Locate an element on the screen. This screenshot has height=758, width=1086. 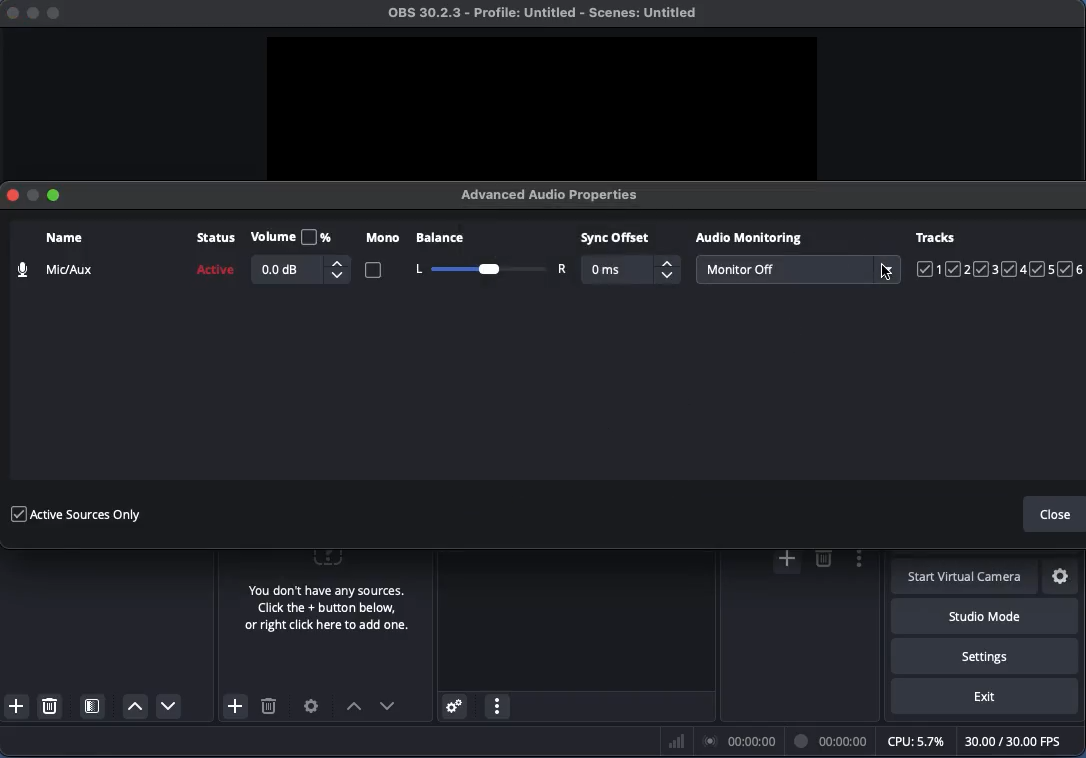
Monitor off is located at coordinates (797, 270).